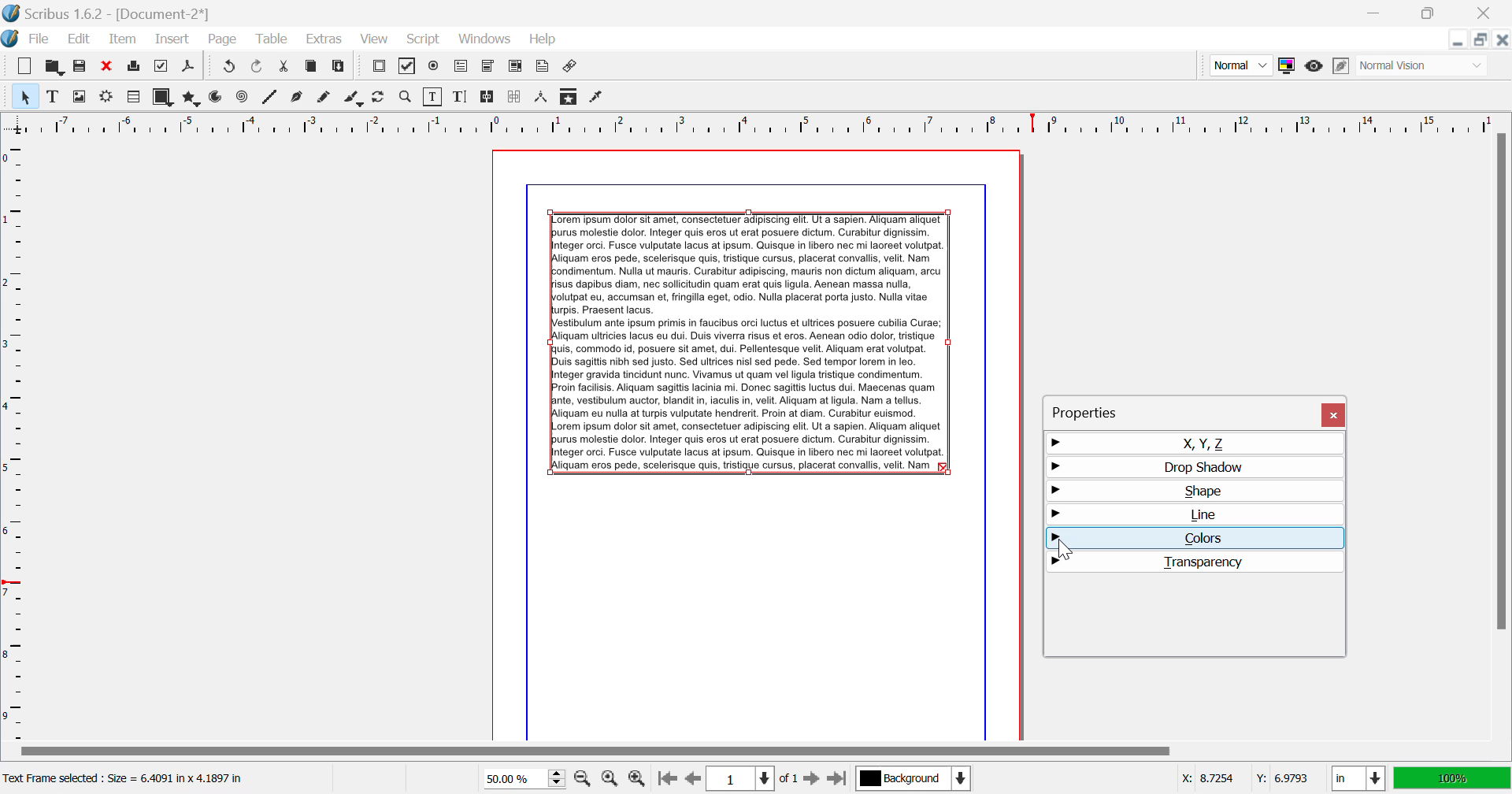 This screenshot has width=1512, height=794. I want to click on Measurements, so click(543, 98).